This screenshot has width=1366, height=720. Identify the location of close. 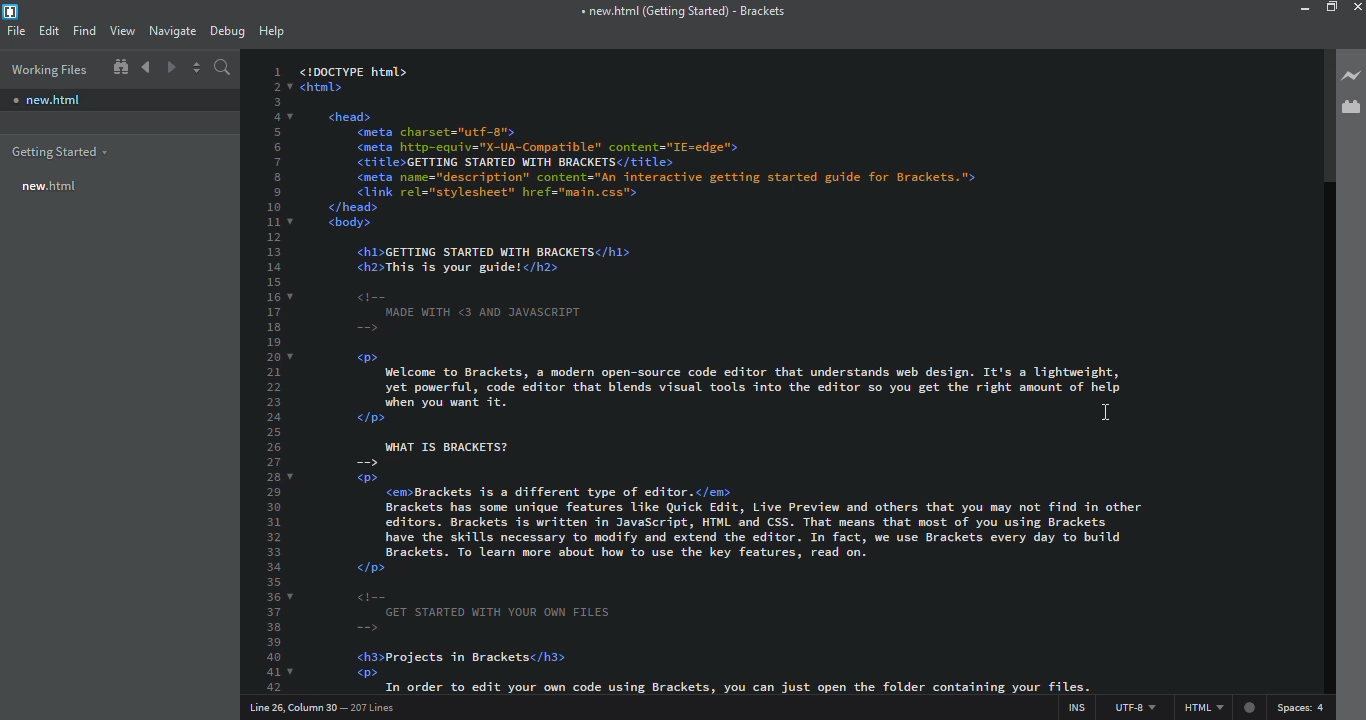
(1357, 7).